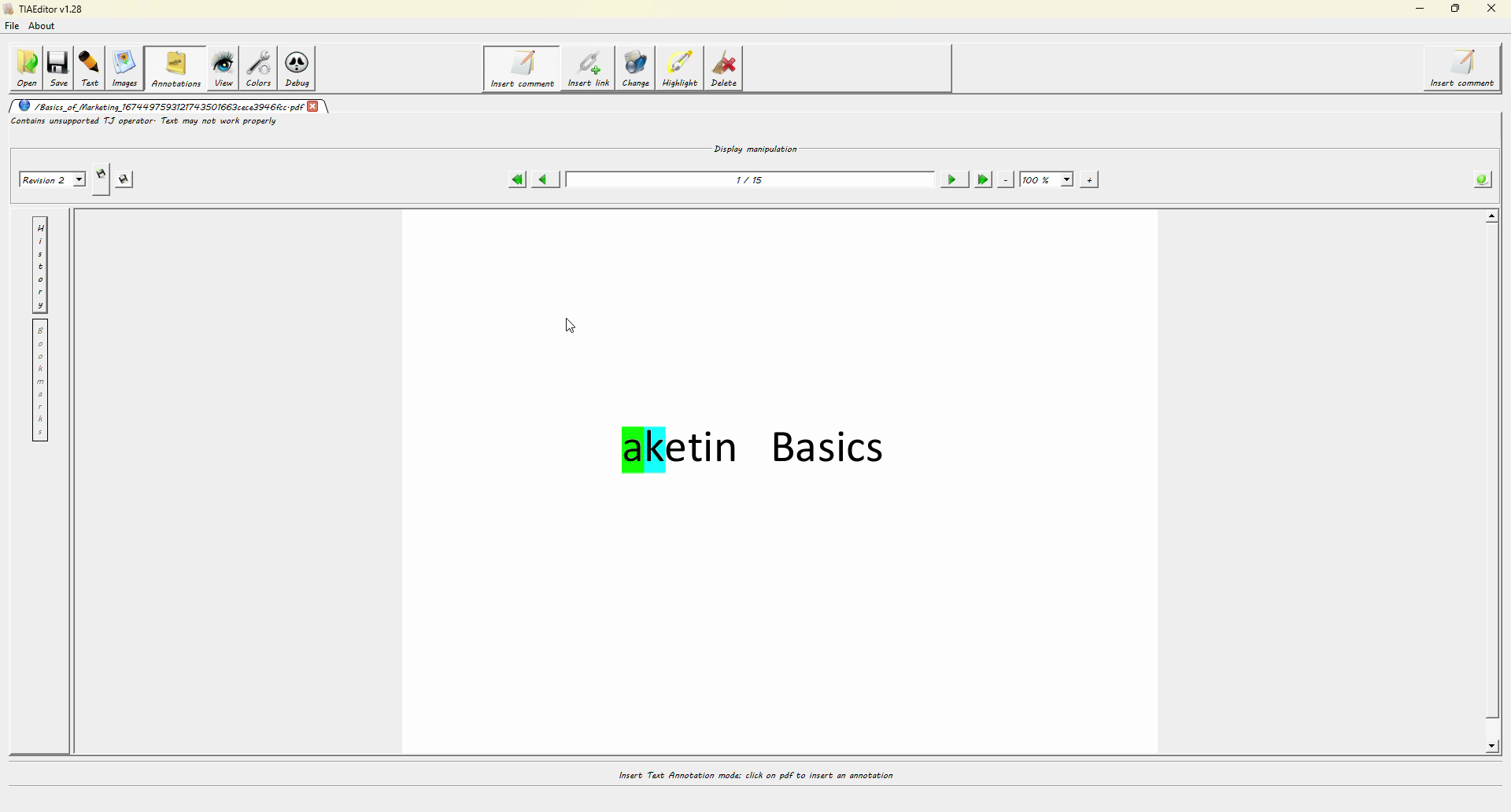  What do you see at coordinates (224, 68) in the screenshot?
I see `view` at bounding box center [224, 68].